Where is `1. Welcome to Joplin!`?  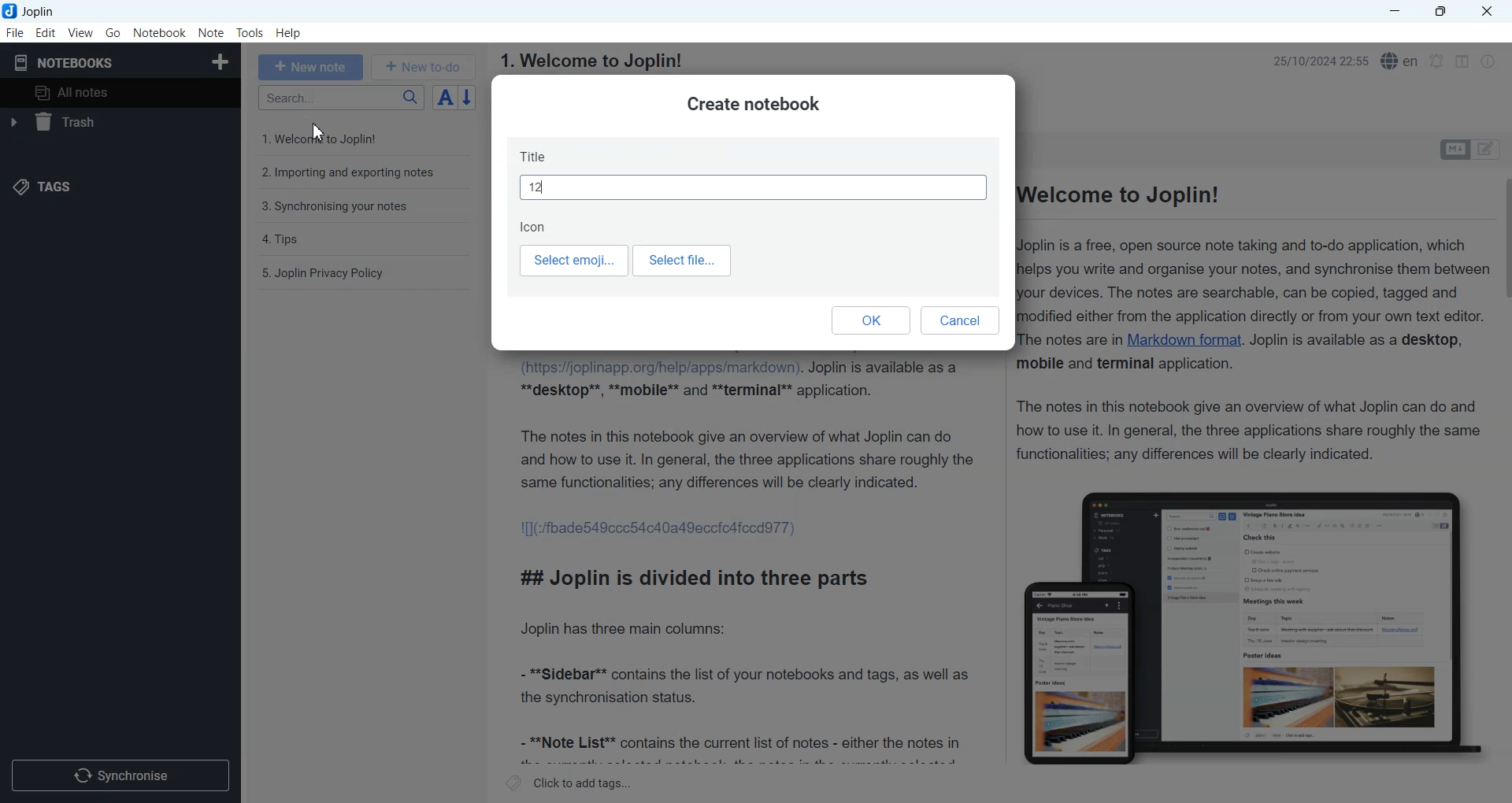 1. Welcome to Joplin! is located at coordinates (332, 138).